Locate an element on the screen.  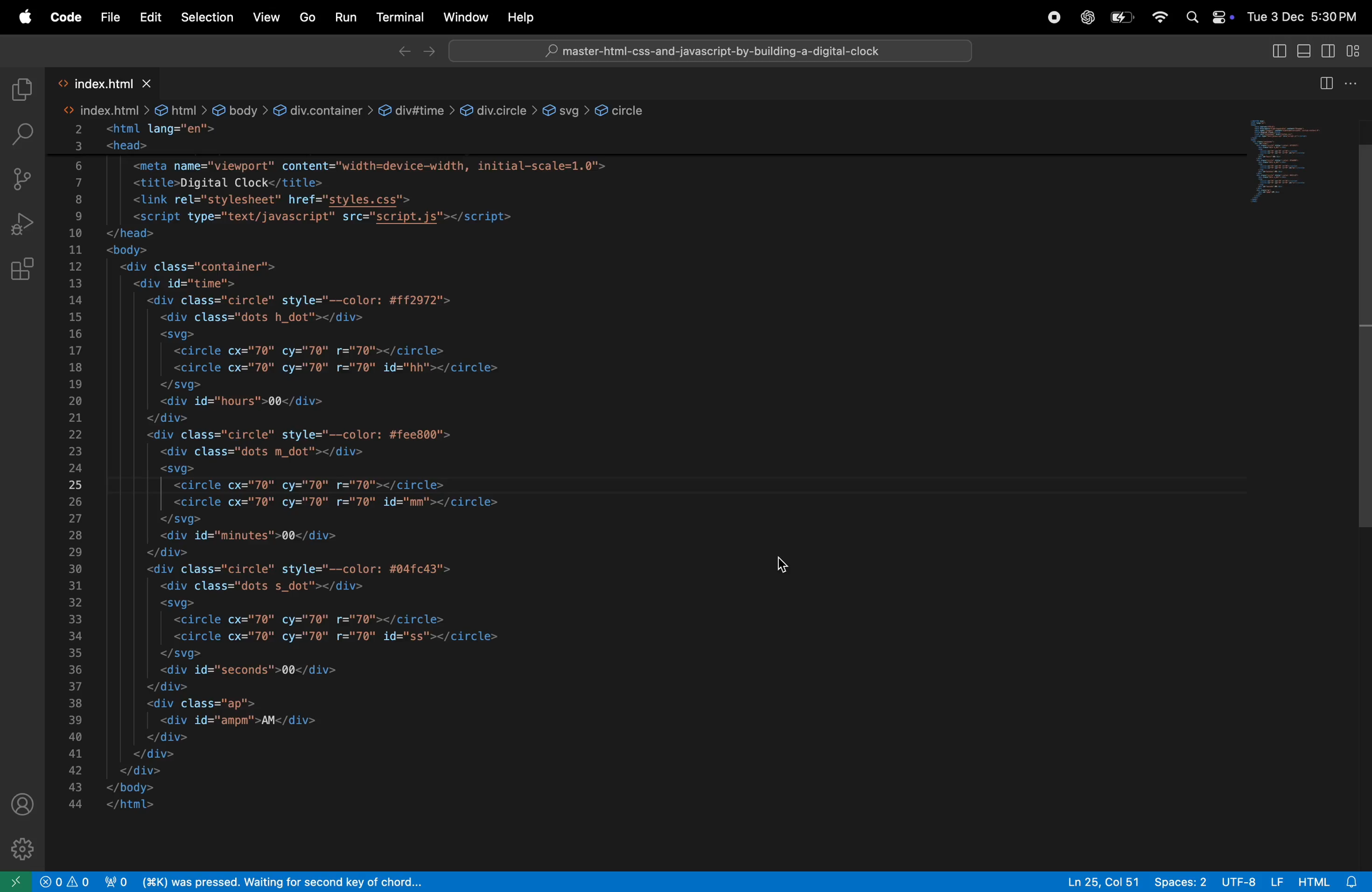
source control is located at coordinates (22, 177).